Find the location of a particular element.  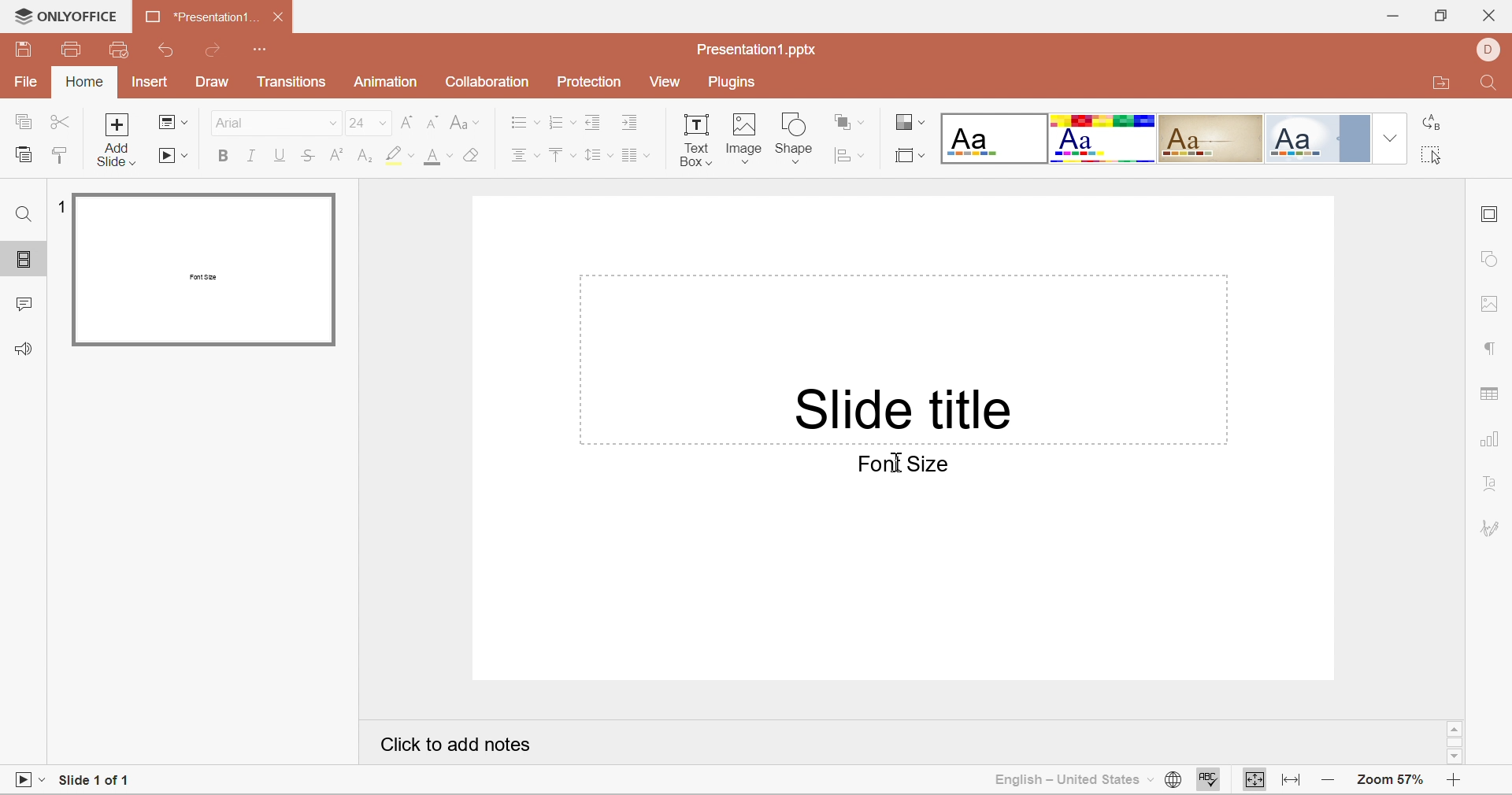

Align top is located at coordinates (563, 158).